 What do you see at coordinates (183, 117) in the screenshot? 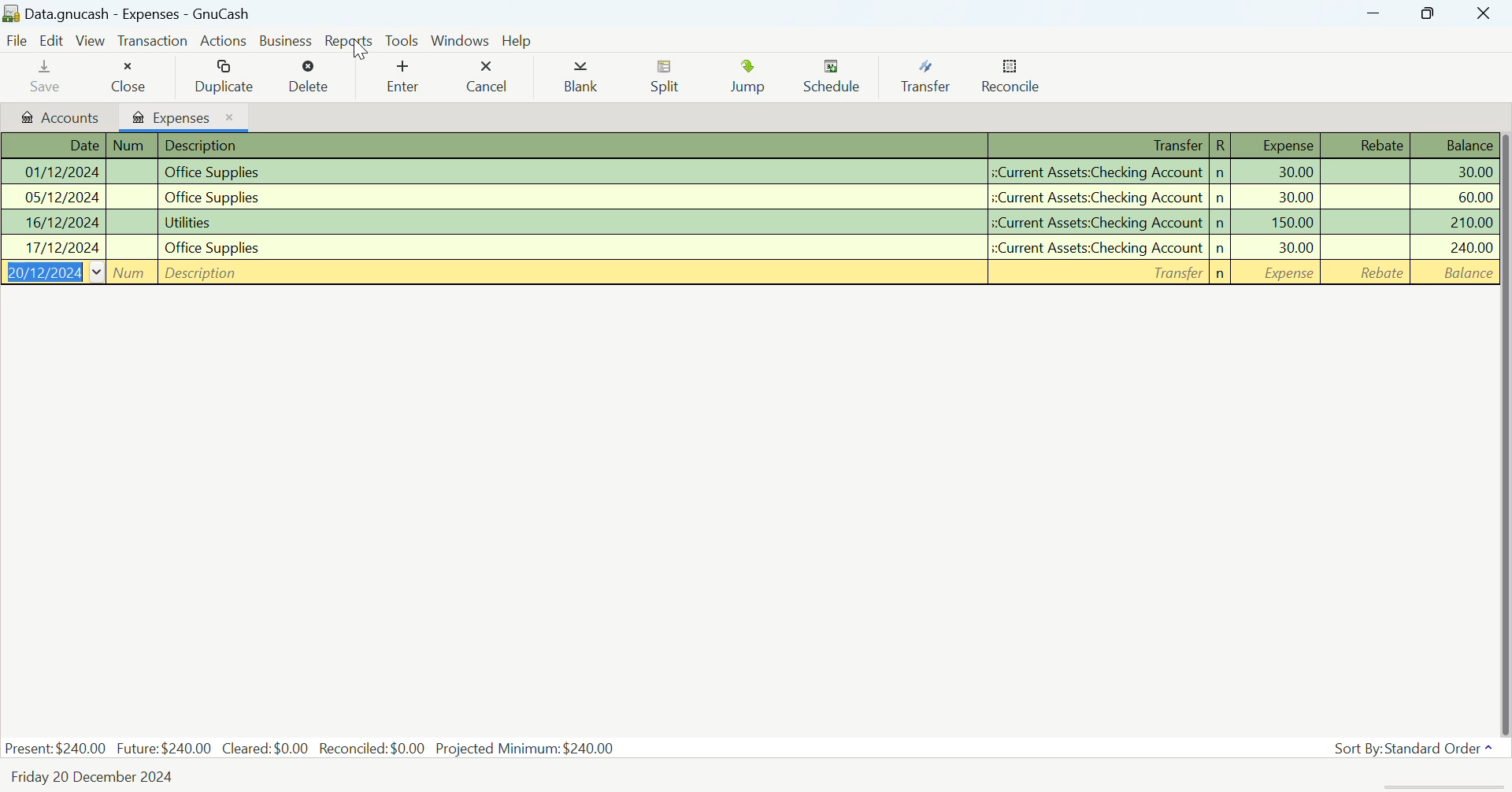
I see `Expenses Tab Open` at bounding box center [183, 117].